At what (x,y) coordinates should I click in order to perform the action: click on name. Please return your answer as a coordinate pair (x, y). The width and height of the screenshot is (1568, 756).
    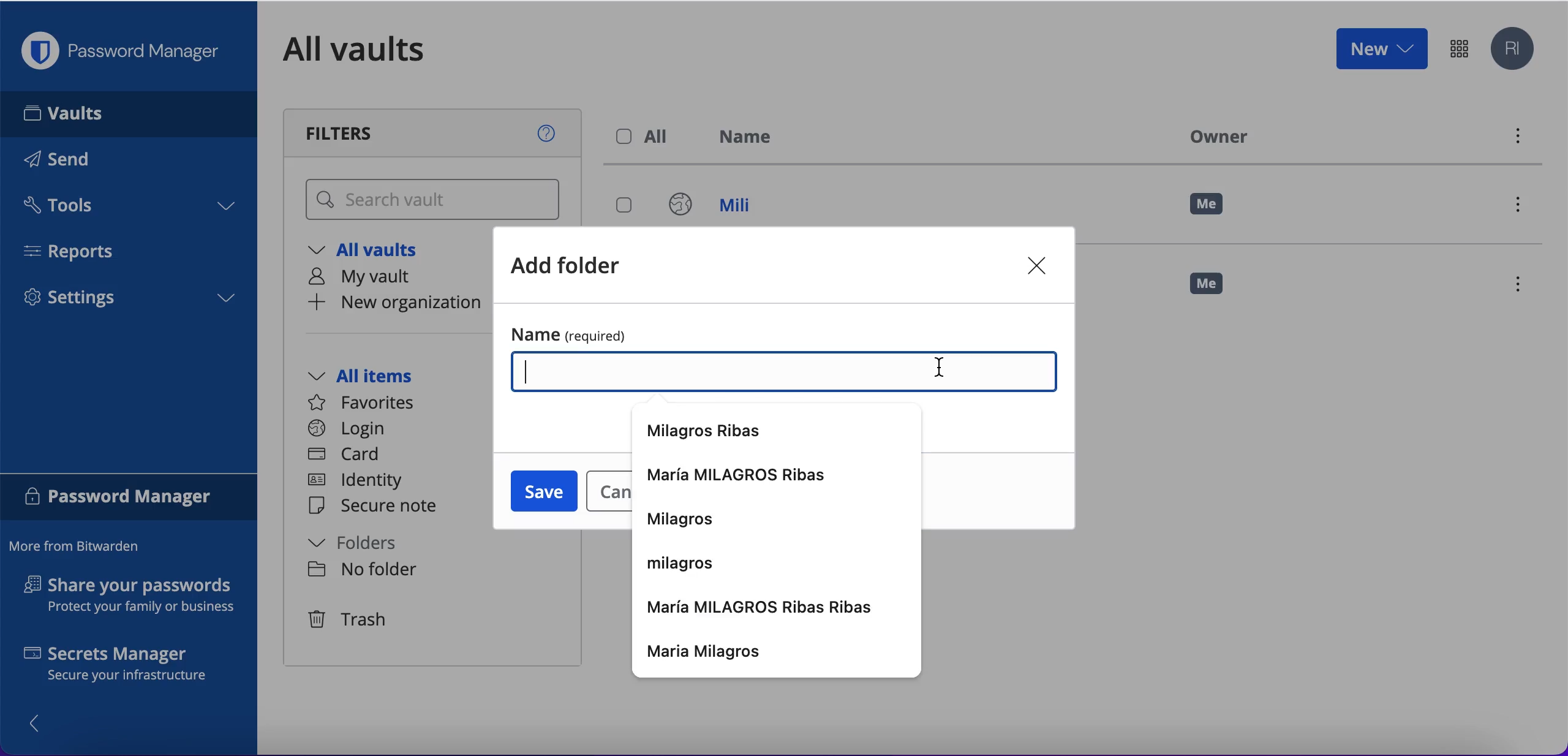
    Looking at the image, I should click on (753, 139).